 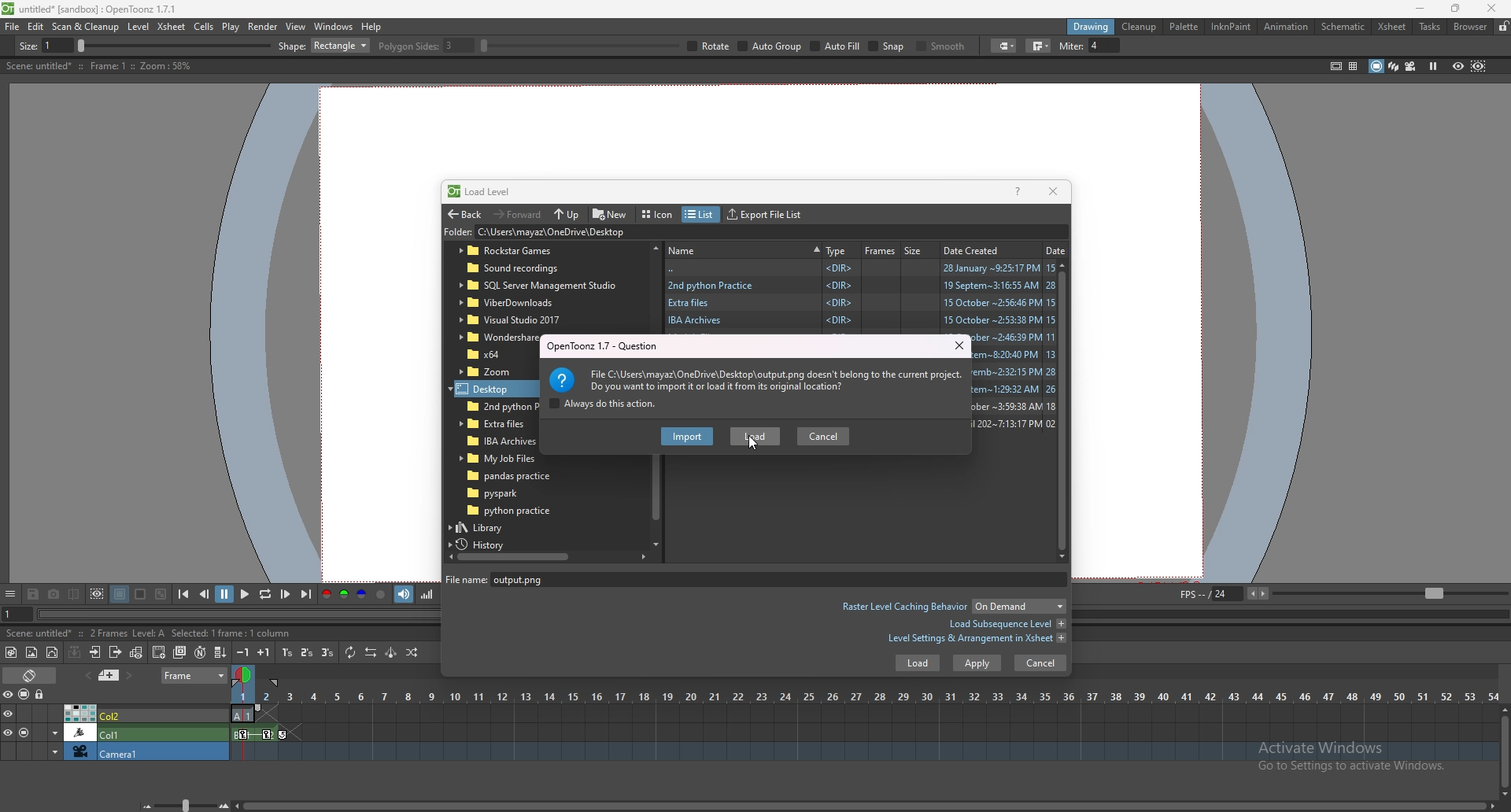 What do you see at coordinates (333, 27) in the screenshot?
I see `windows` at bounding box center [333, 27].